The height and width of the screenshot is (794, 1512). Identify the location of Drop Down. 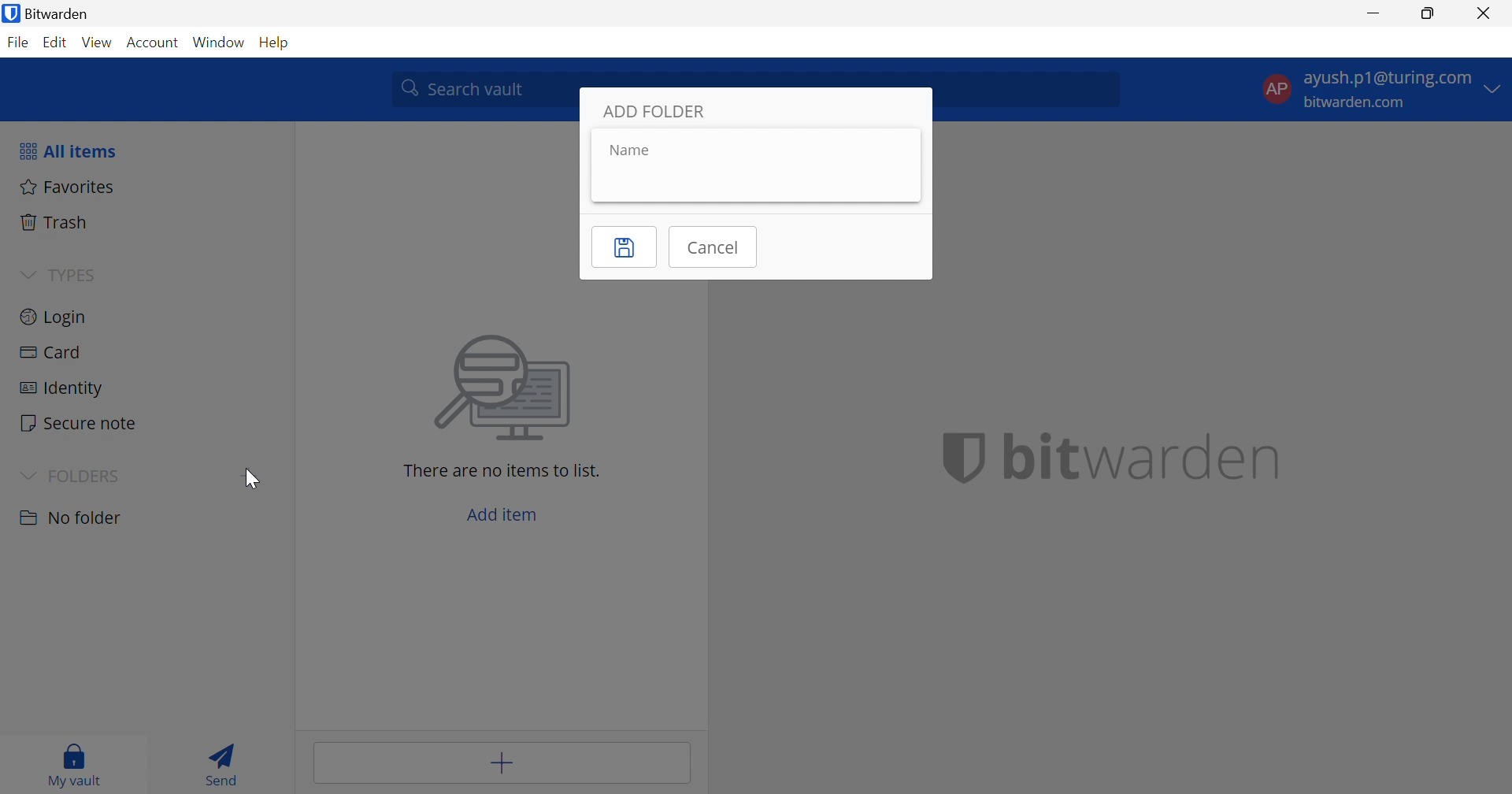
(29, 476).